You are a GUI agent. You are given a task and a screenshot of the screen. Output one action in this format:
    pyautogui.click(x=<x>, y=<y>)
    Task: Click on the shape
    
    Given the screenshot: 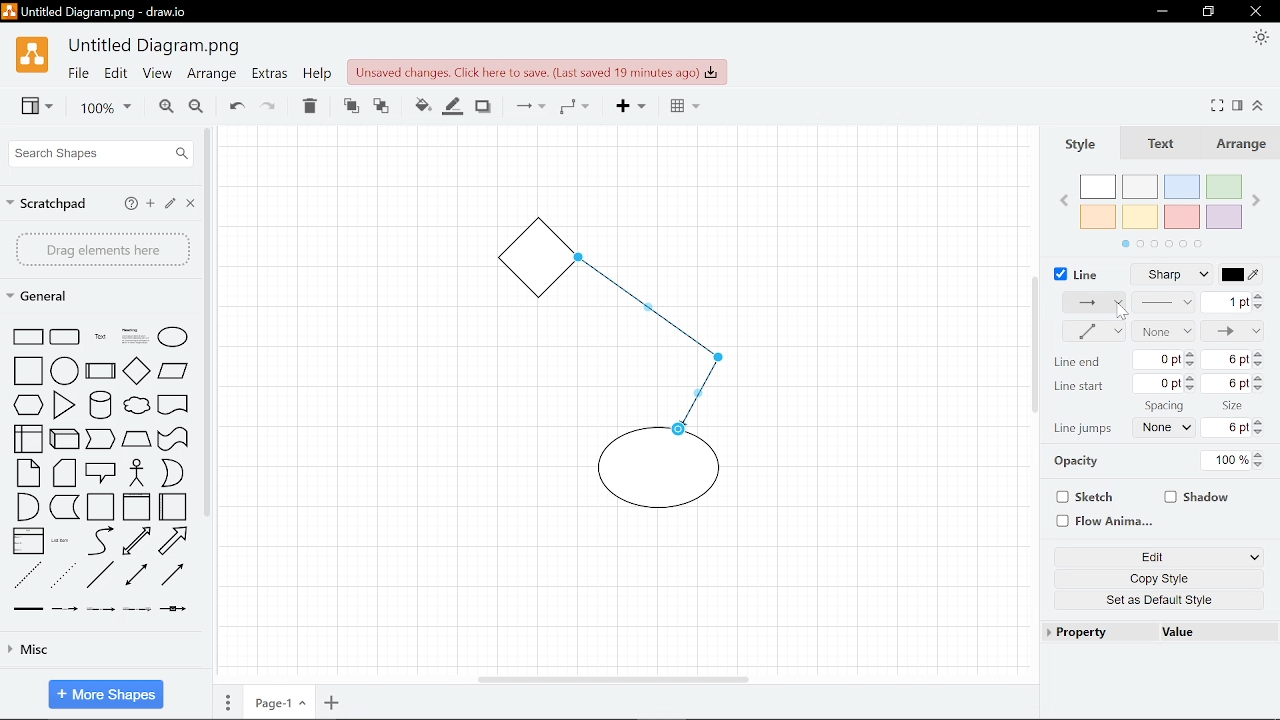 What is the action you would take?
    pyautogui.click(x=136, y=610)
    